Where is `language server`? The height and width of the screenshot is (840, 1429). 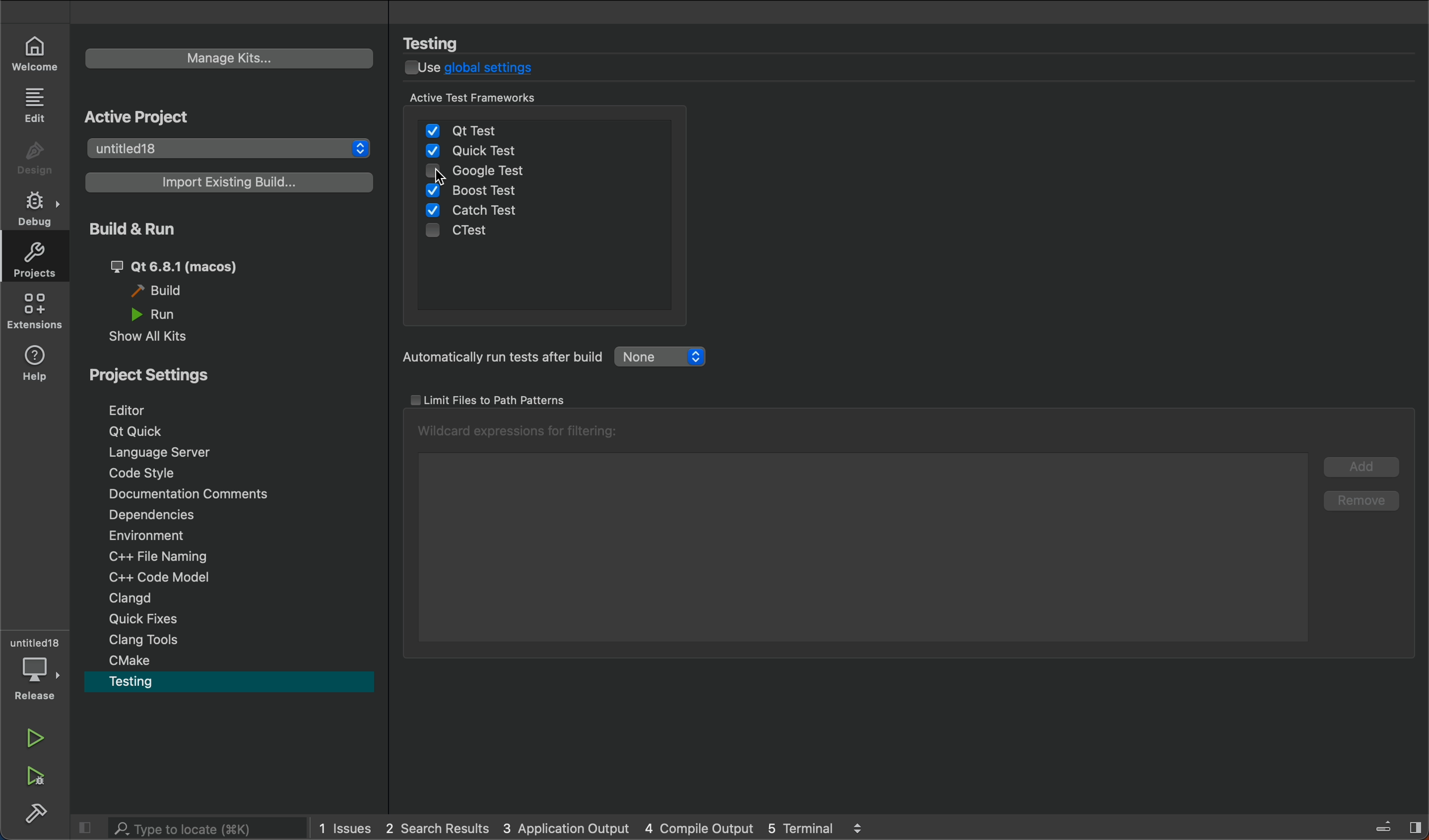 language server is located at coordinates (224, 455).